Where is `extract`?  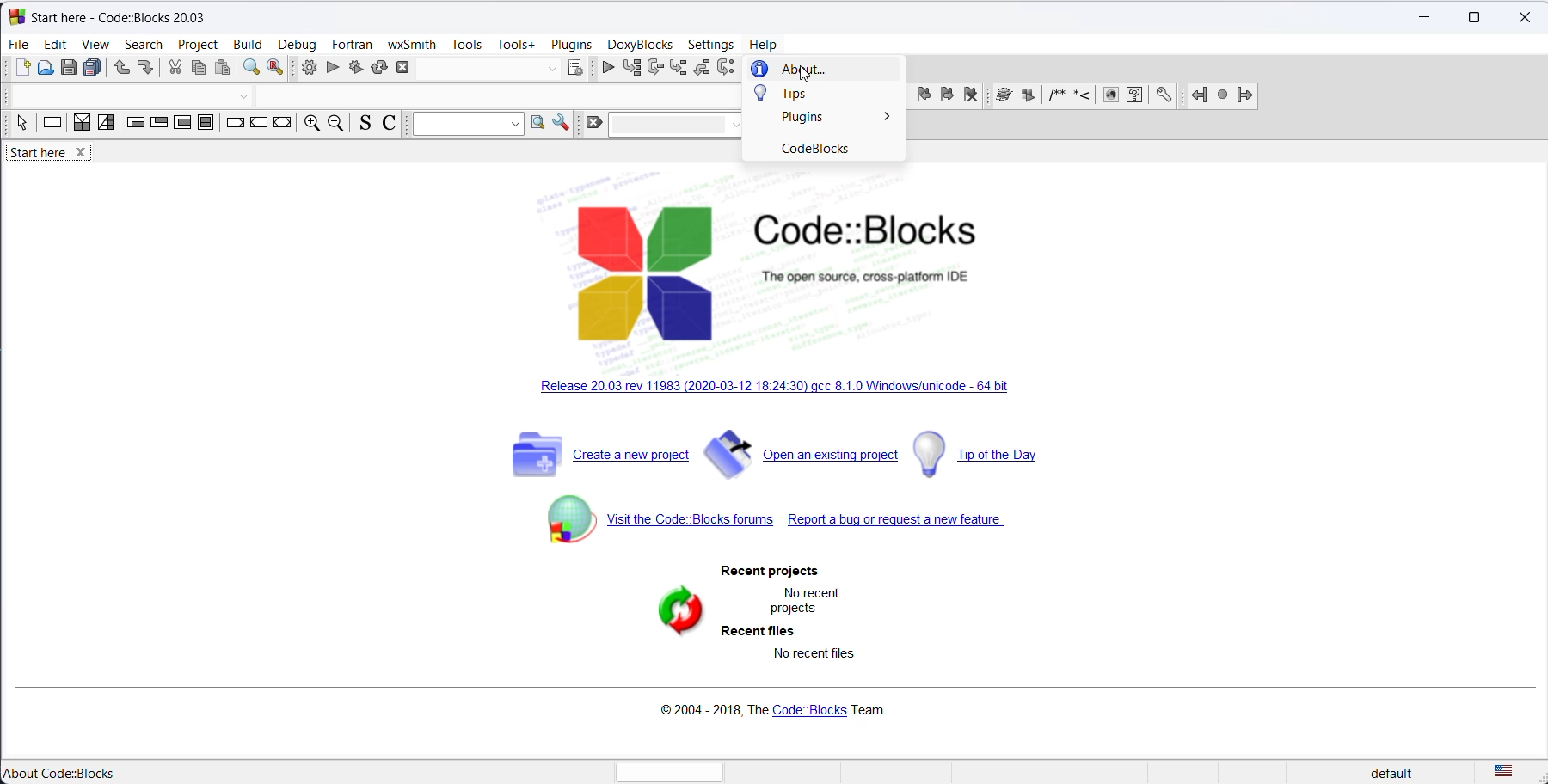 extract is located at coordinates (1032, 96).